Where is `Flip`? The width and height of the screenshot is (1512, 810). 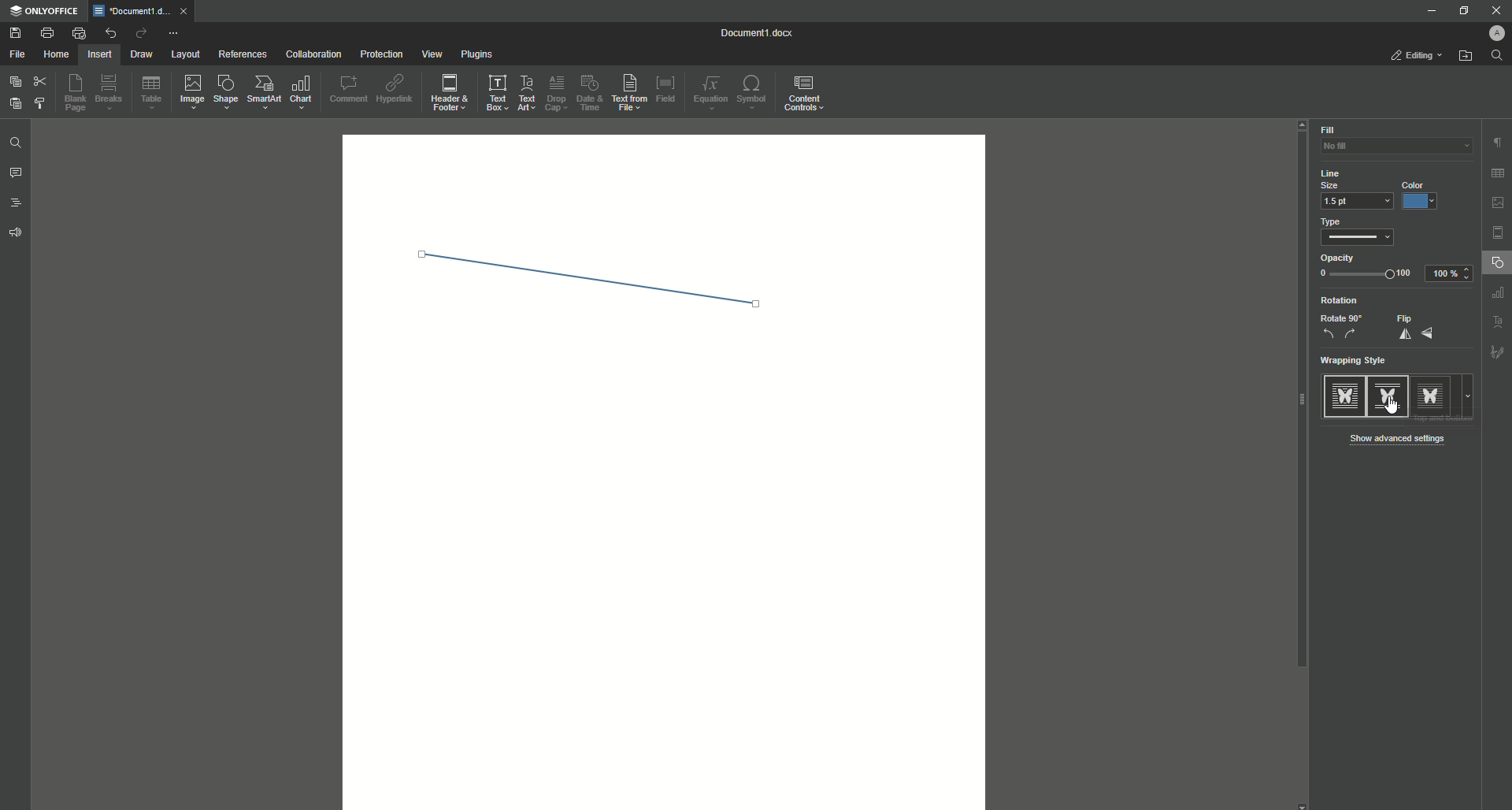 Flip is located at coordinates (1414, 328).